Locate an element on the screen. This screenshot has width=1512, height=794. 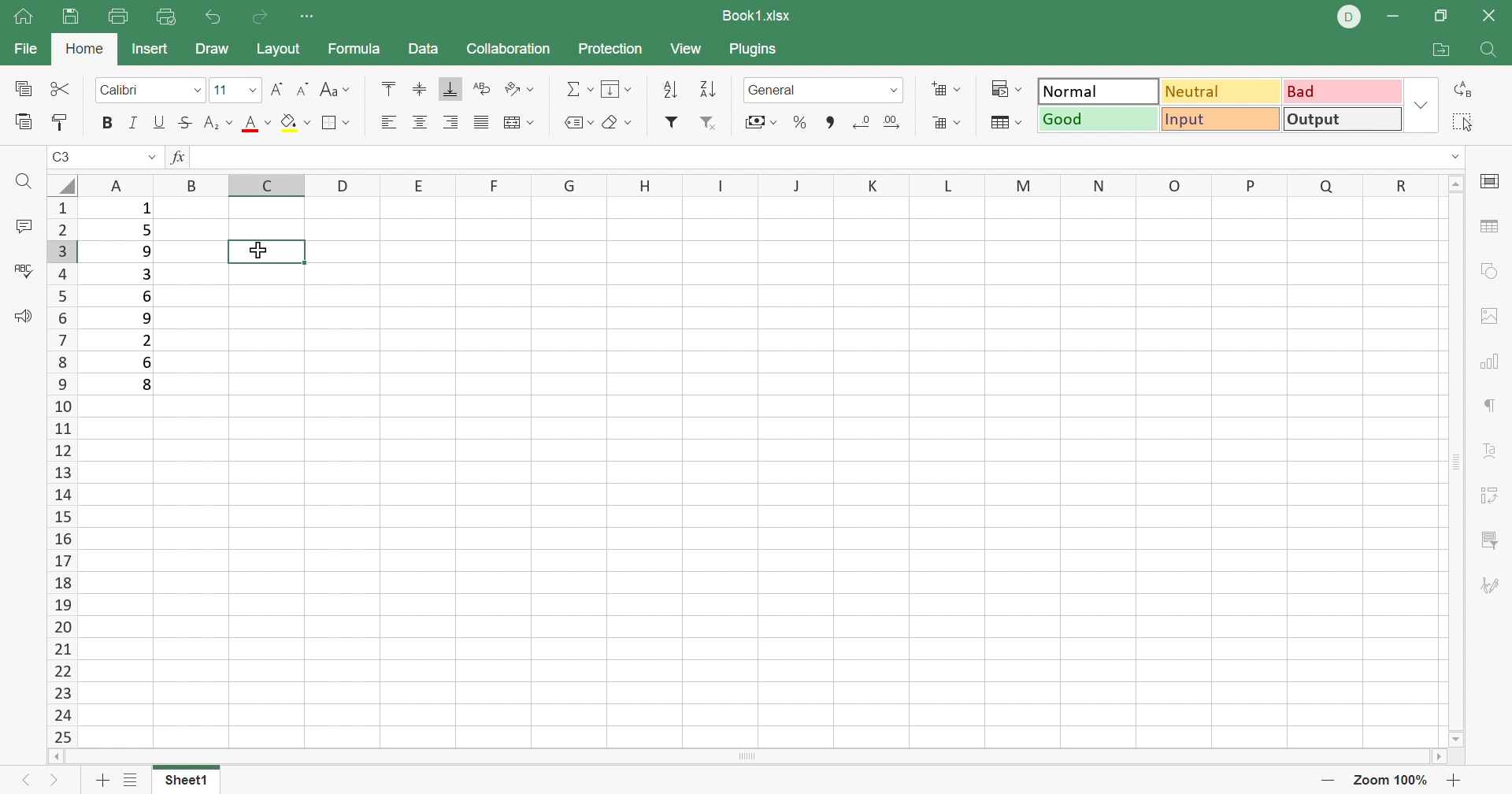
Currency style is located at coordinates (760, 123).